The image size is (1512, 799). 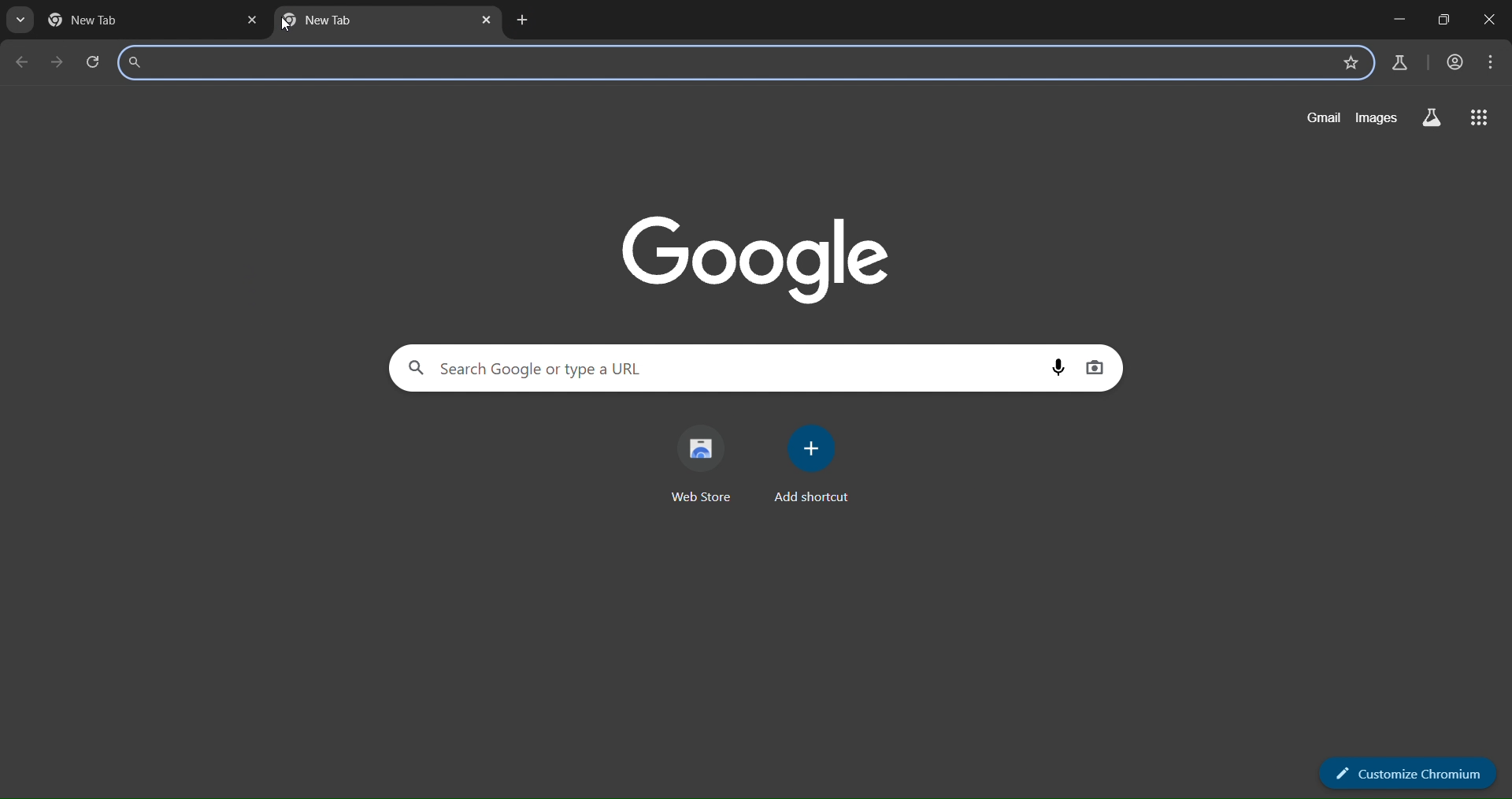 I want to click on voice search, so click(x=1057, y=367).